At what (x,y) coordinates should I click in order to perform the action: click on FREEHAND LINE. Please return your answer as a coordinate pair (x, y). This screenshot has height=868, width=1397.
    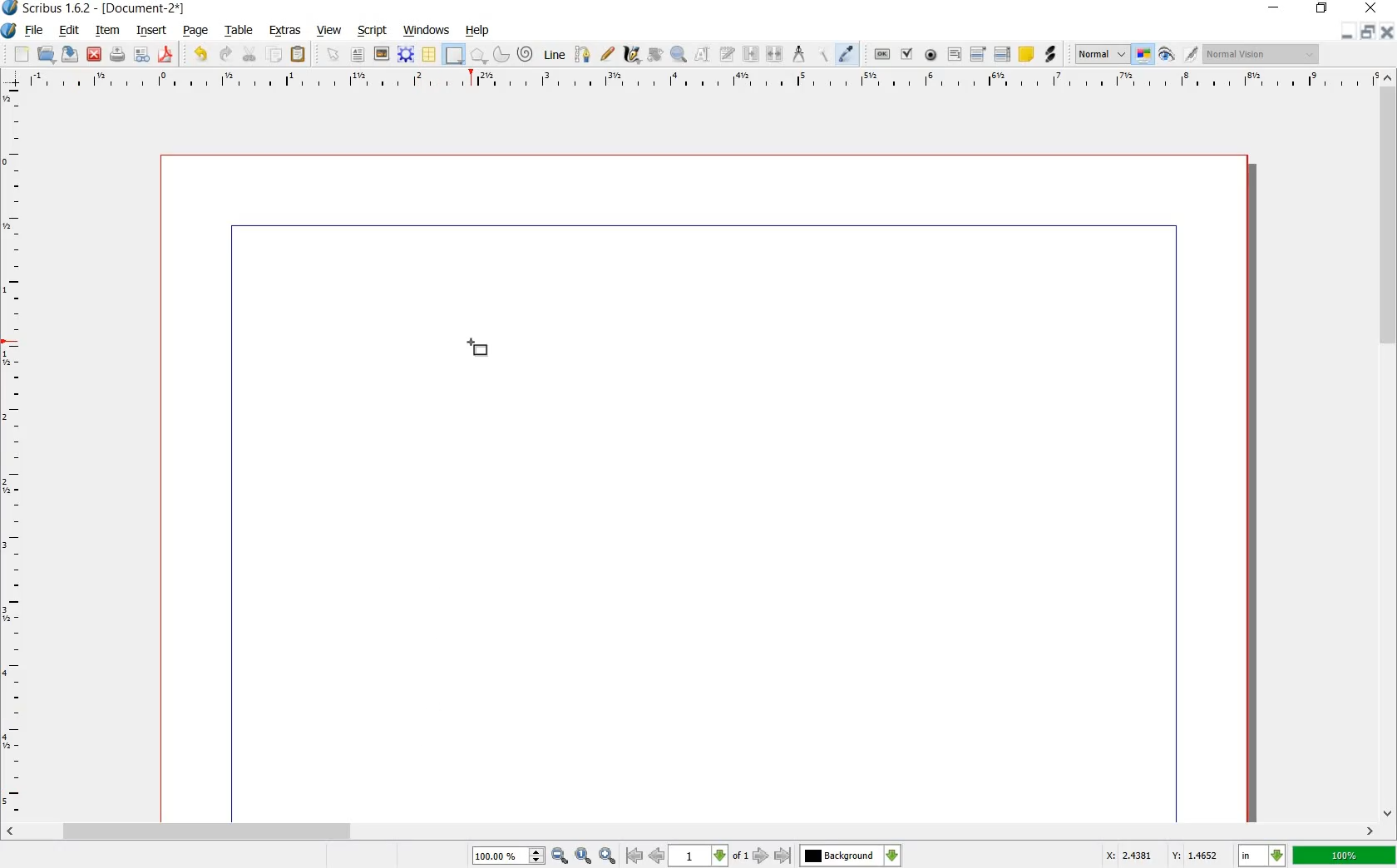
    Looking at the image, I should click on (608, 55).